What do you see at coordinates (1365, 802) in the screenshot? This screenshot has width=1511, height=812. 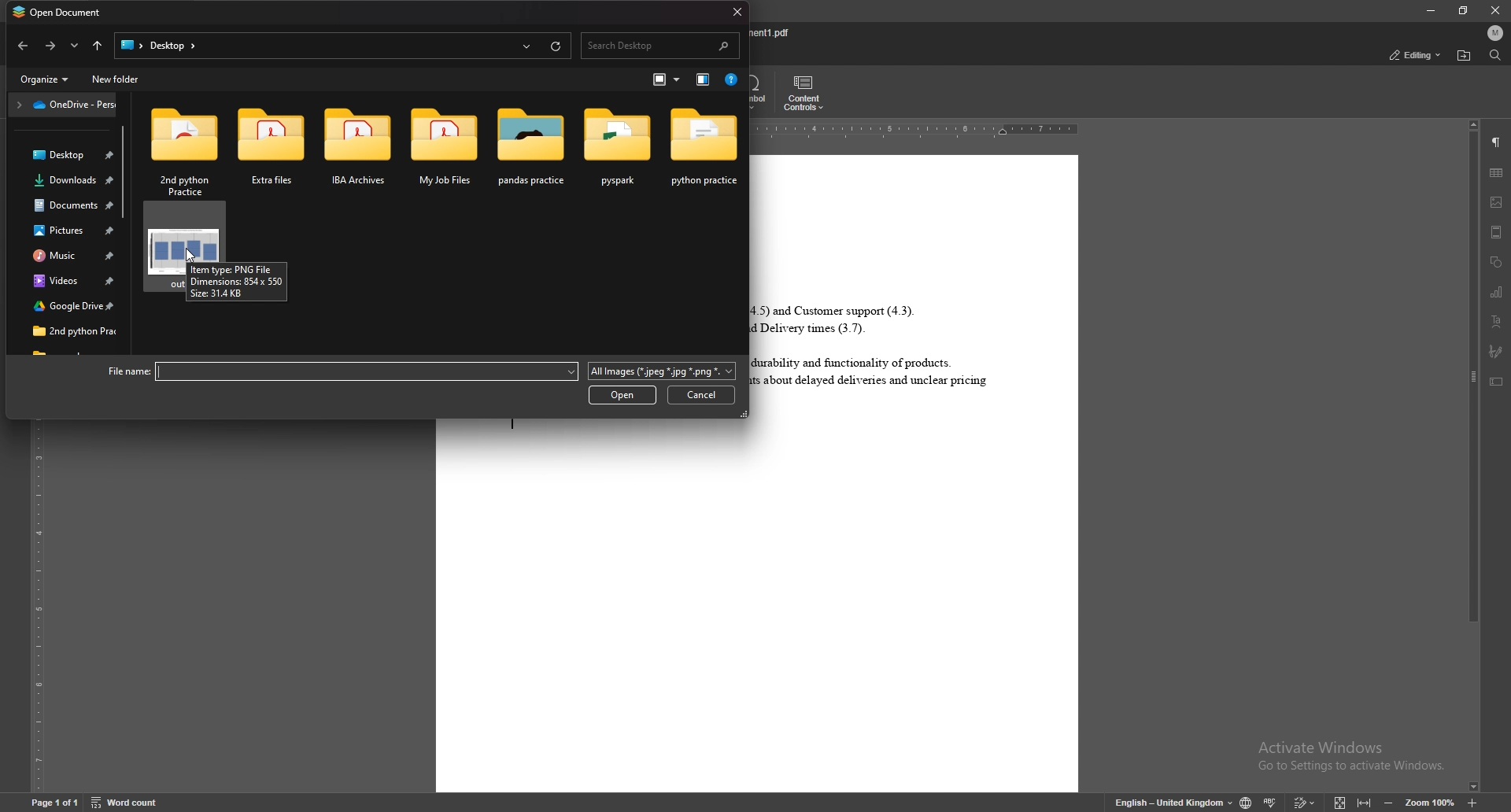 I see `fit to width` at bounding box center [1365, 802].